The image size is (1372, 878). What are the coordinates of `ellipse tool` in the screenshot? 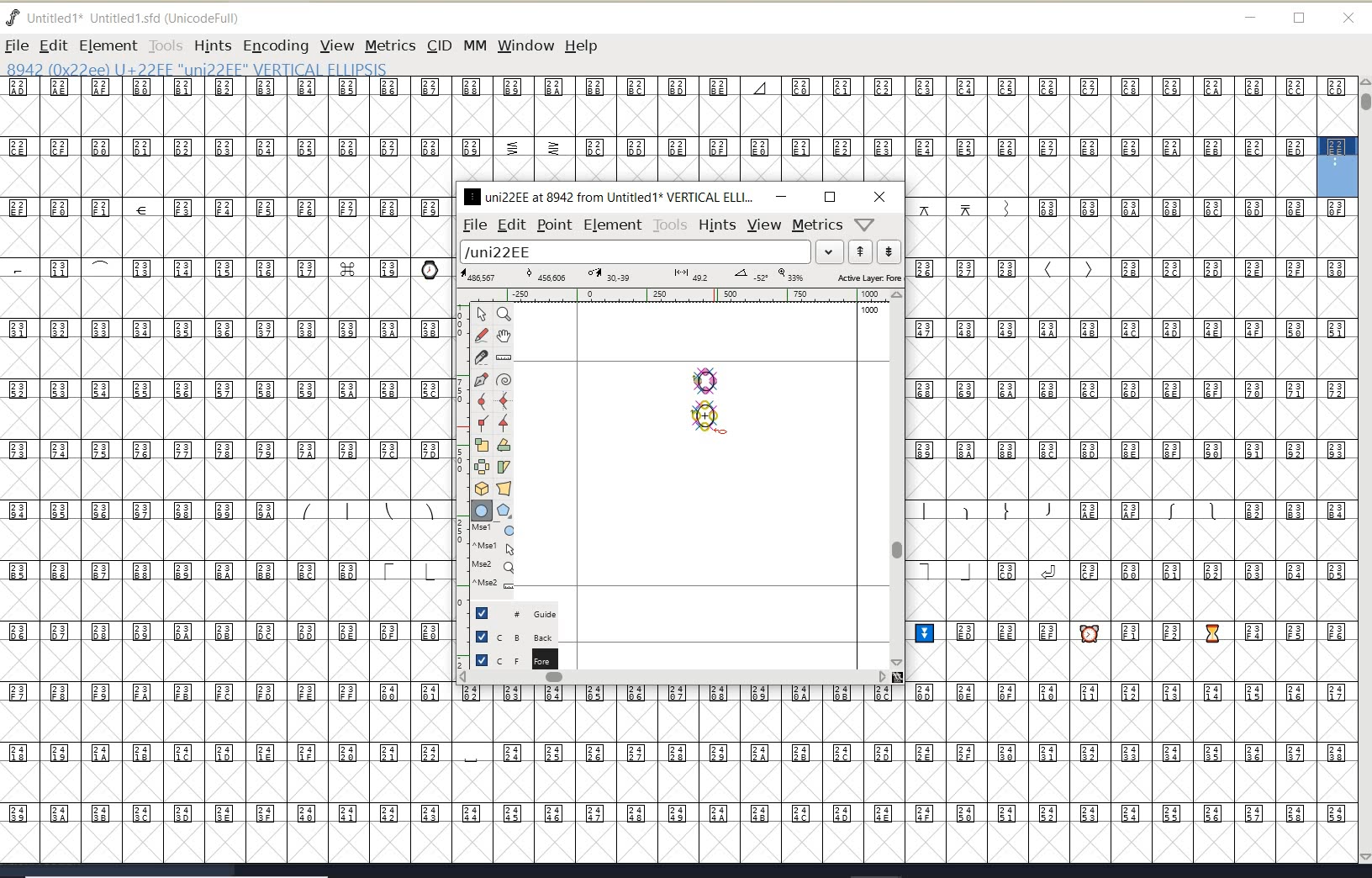 It's located at (725, 433).